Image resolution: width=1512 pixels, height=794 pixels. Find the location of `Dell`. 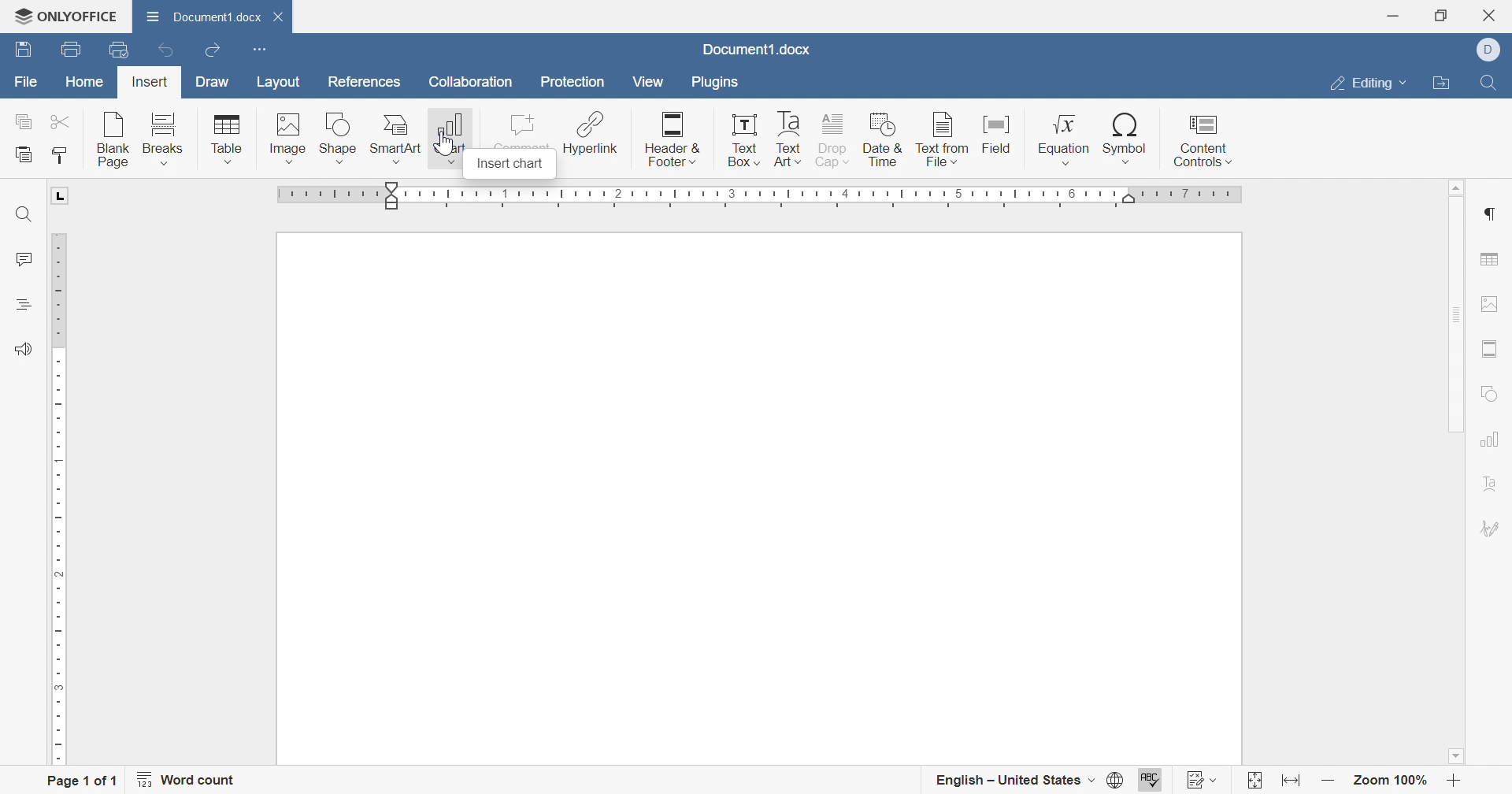

Dell is located at coordinates (1488, 48).